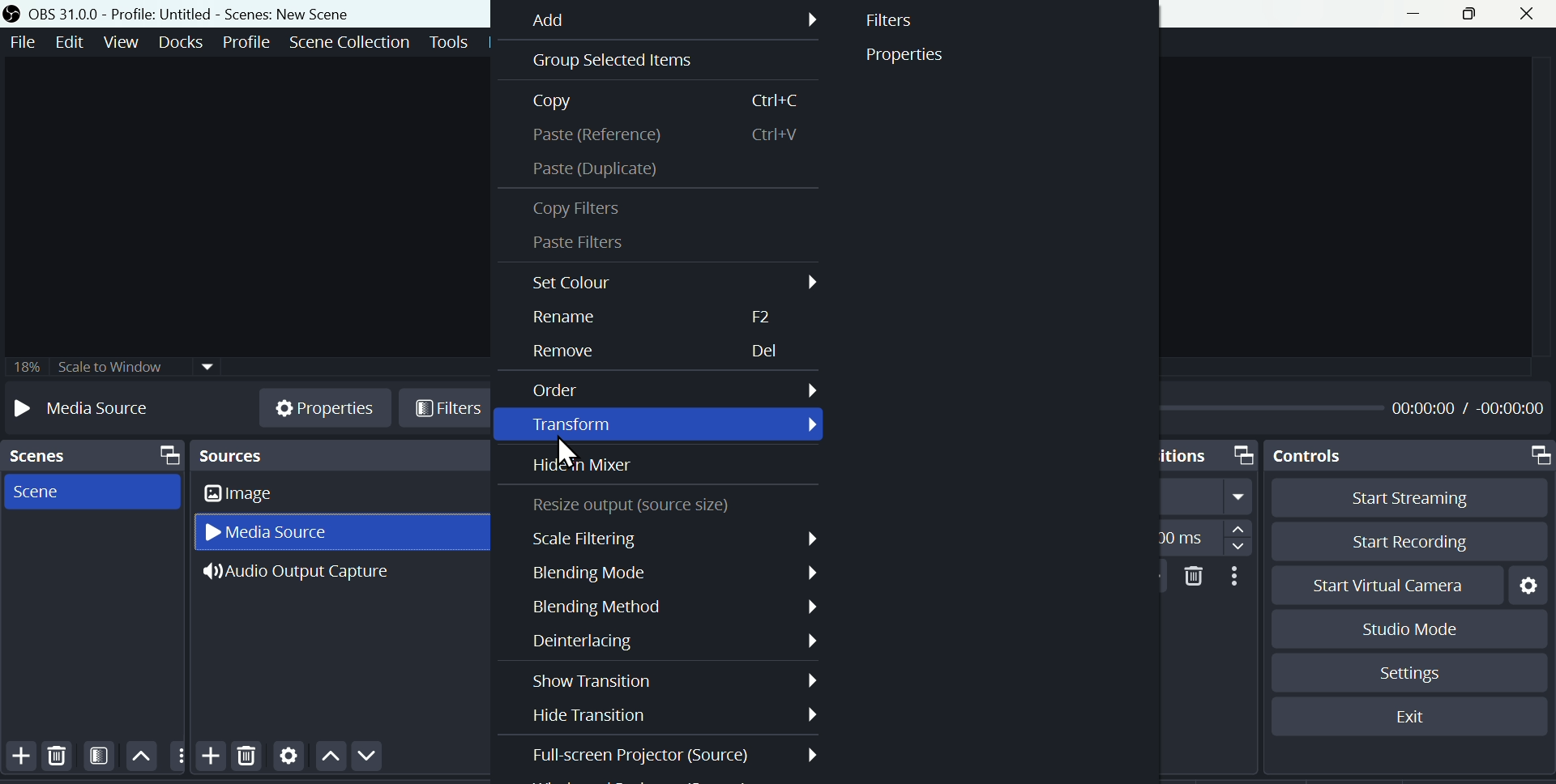  What do you see at coordinates (665, 607) in the screenshot?
I see `Blending method` at bounding box center [665, 607].